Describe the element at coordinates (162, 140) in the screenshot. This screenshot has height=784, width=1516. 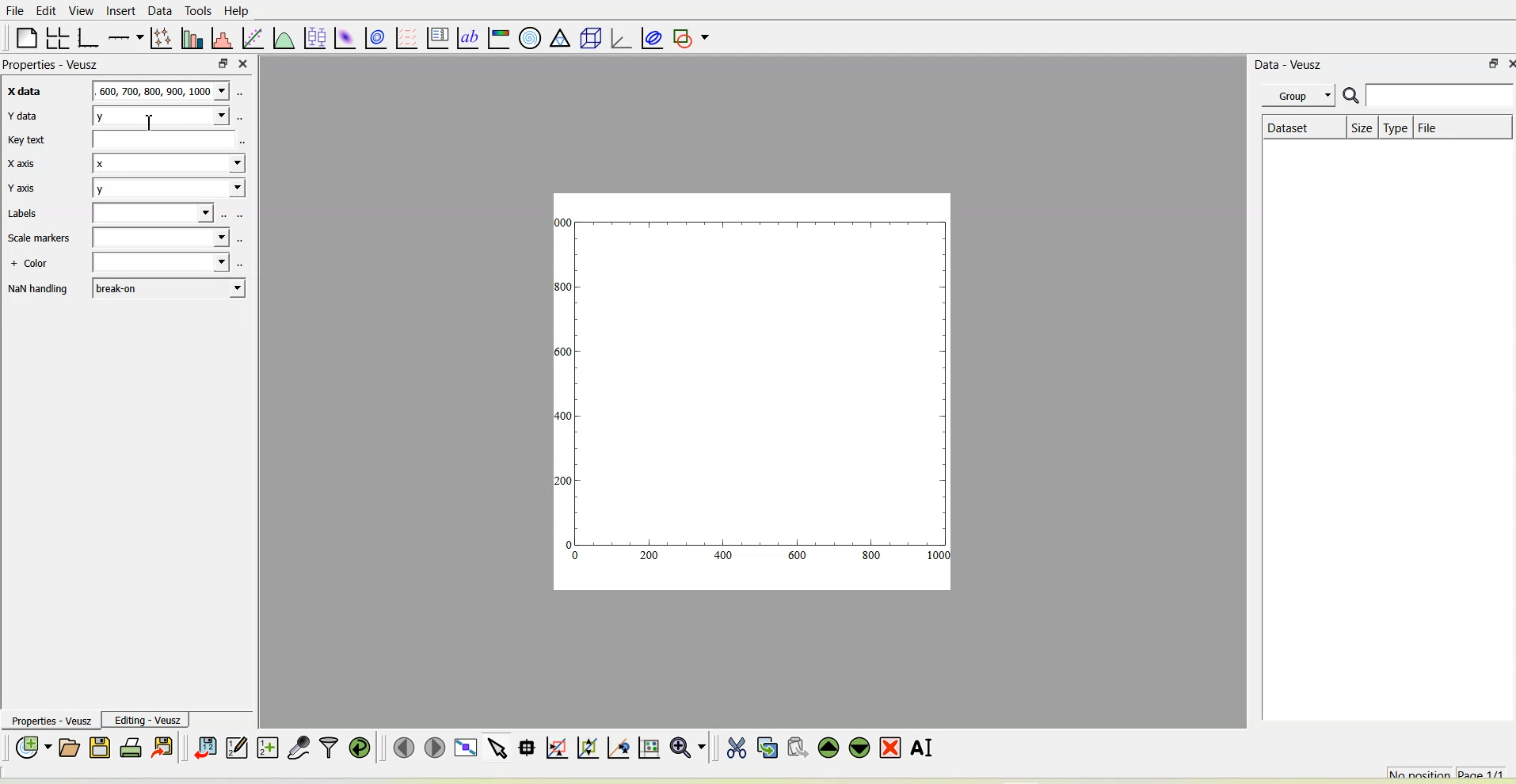
I see `Blank` at that location.